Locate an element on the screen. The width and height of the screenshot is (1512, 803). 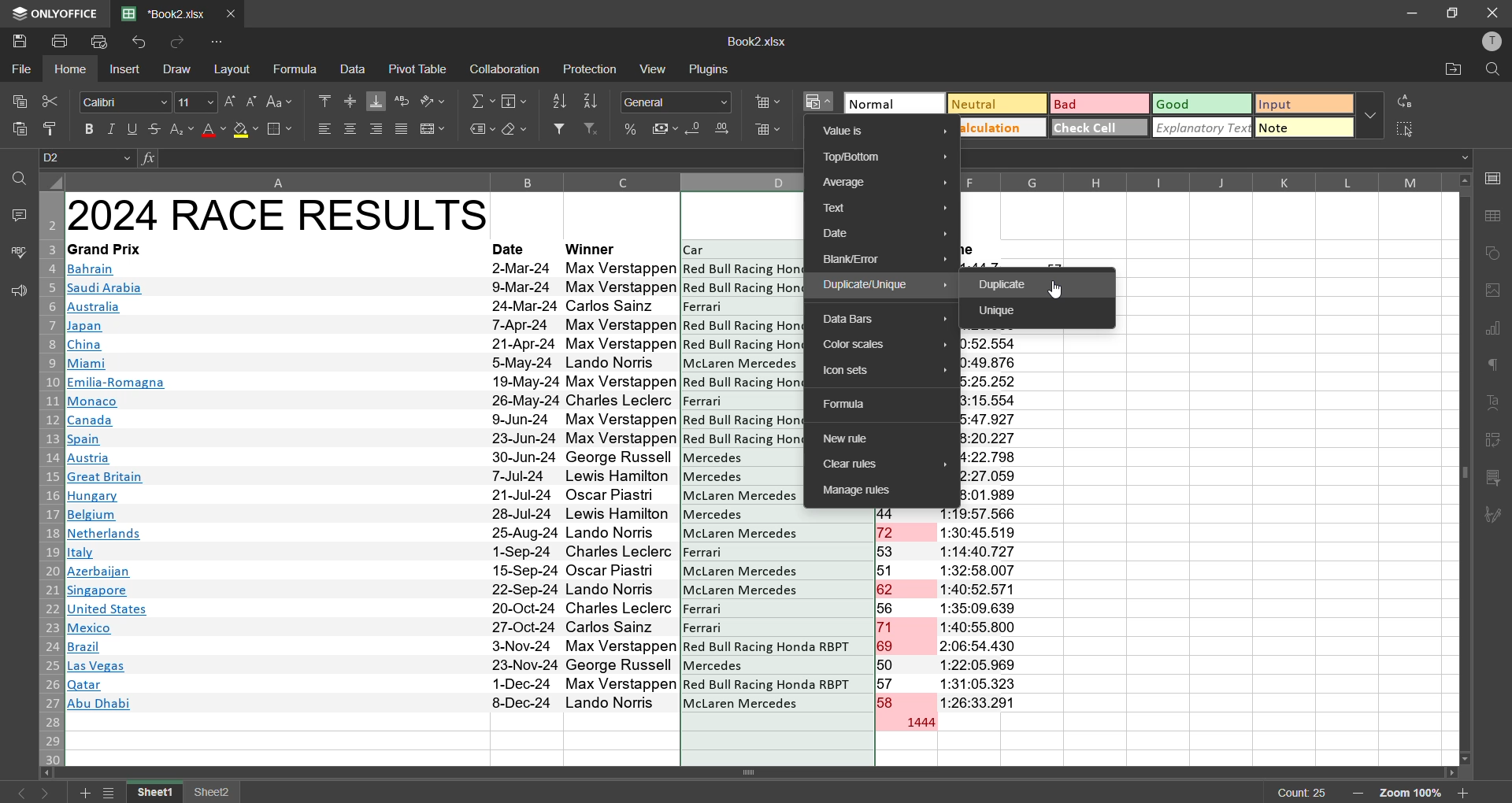
sort ascending is located at coordinates (559, 102).